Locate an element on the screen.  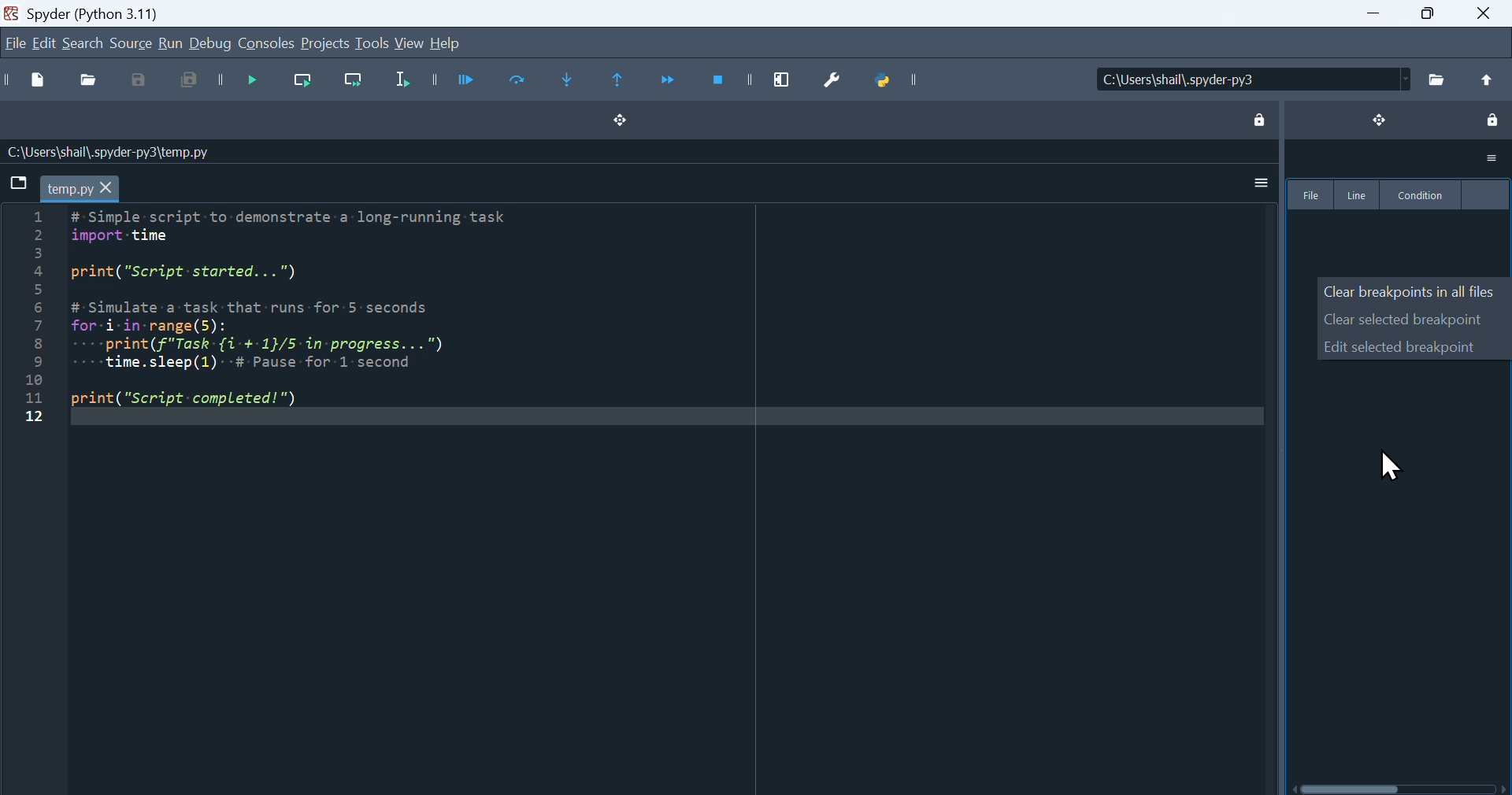
Name of the file is located at coordinates (217, 151).